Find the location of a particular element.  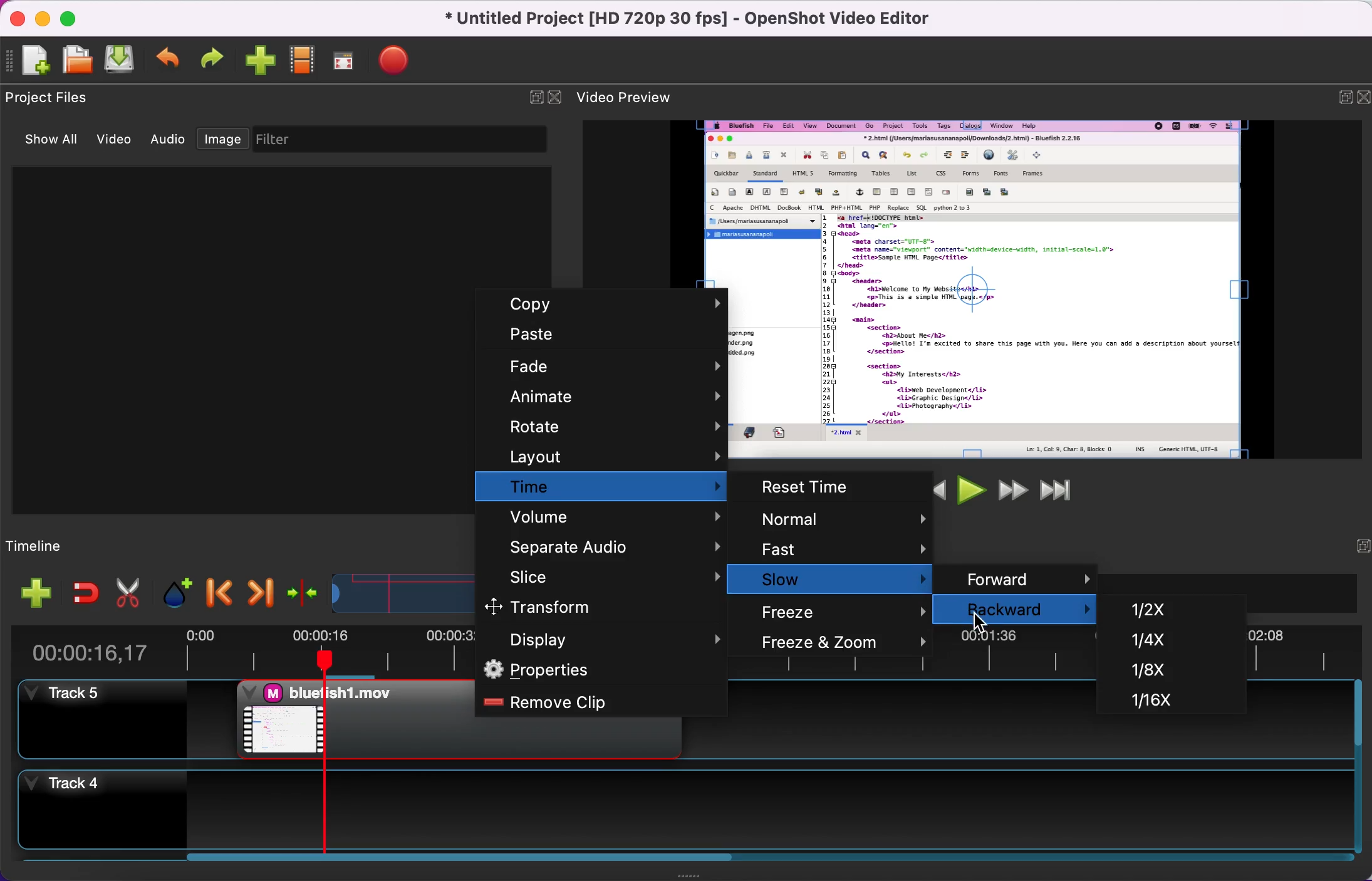

video is located at coordinates (119, 141).